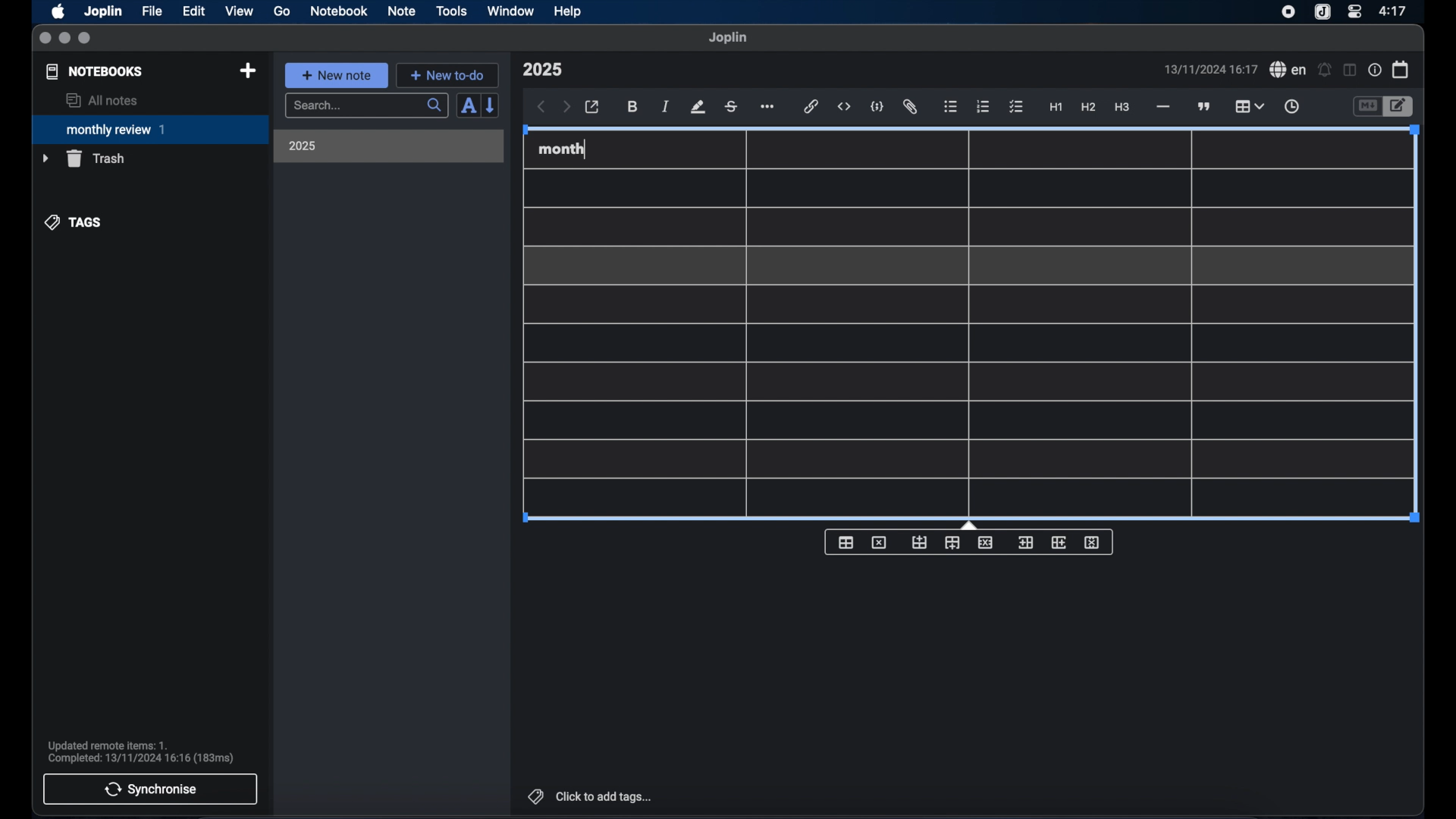 The width and height of the screenshot is (1456, 819). I want to click on go, so click(282, 11).